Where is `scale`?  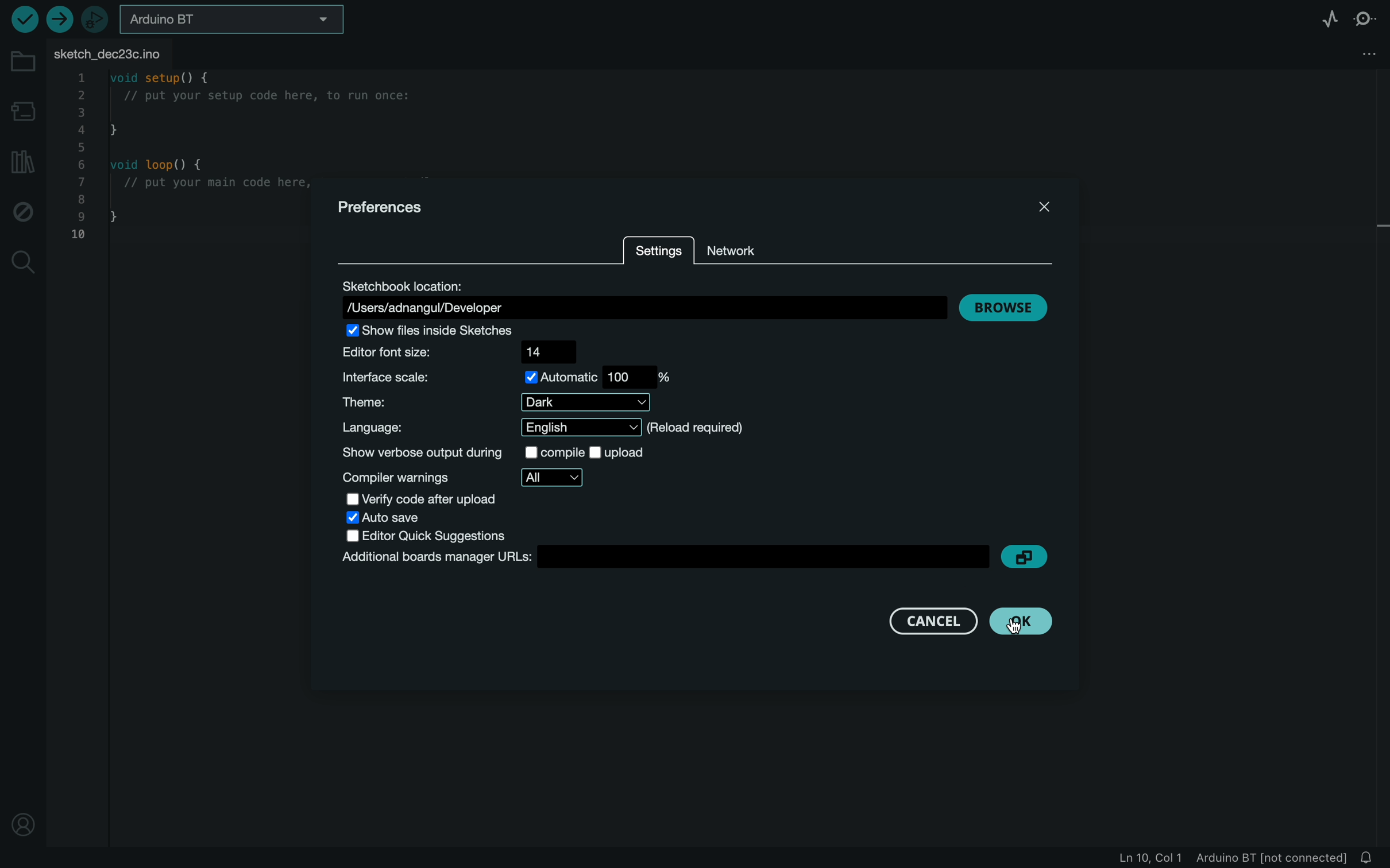 scale is located at coordinates (504, 378).